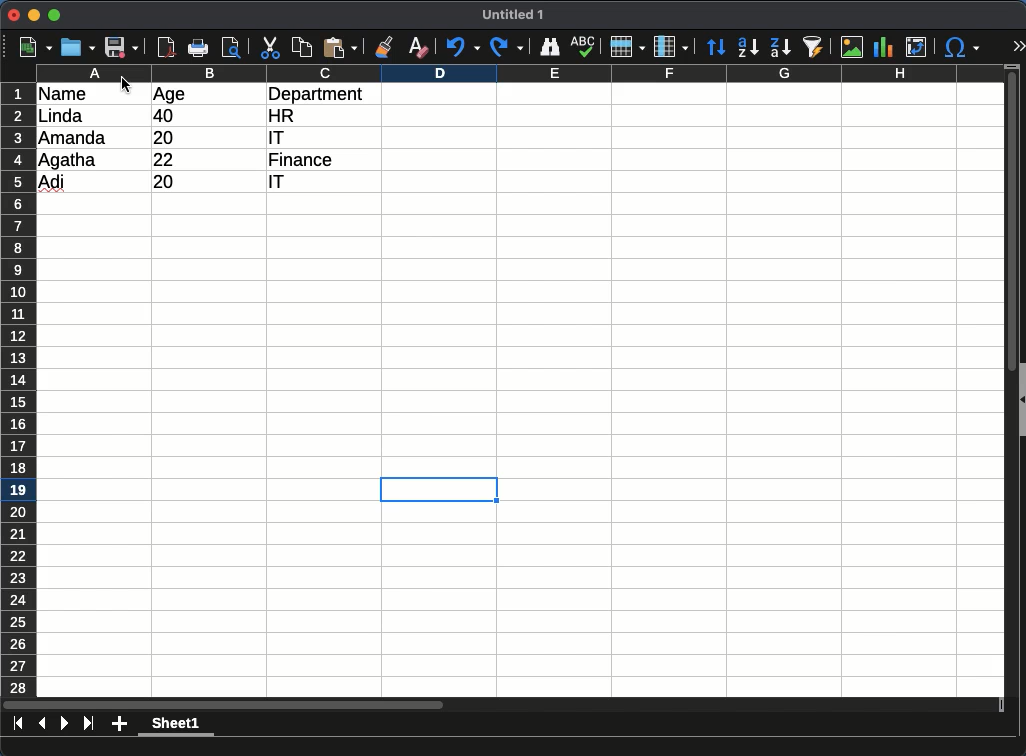 This screenshot has width=1026, height=756. I want to click on new, so click(34, 47).